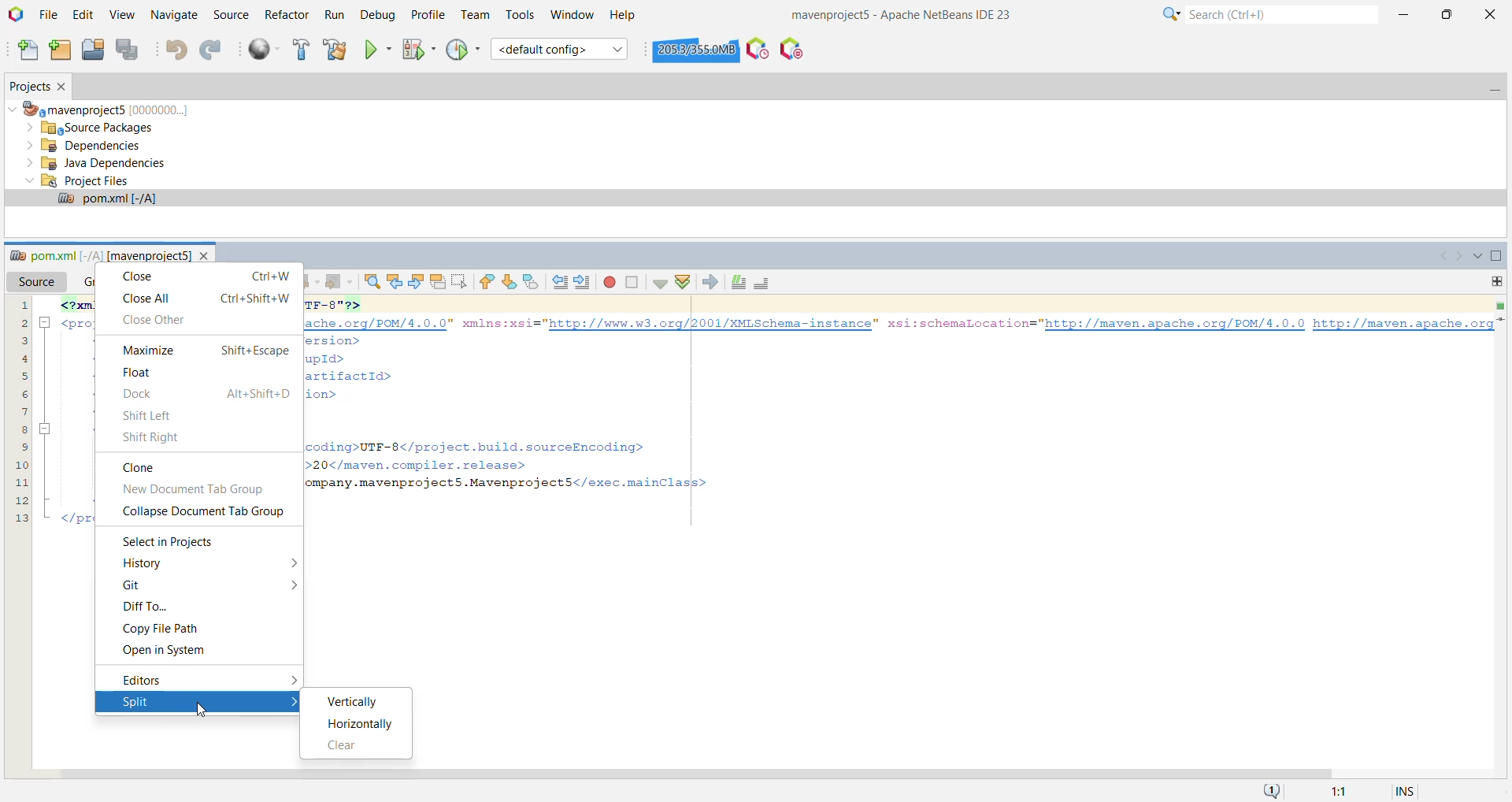 This screenshot has width=1512, height=802. Describe the element at coordinates (1499, 305) in the screenshot. I see `No errors` at that location.